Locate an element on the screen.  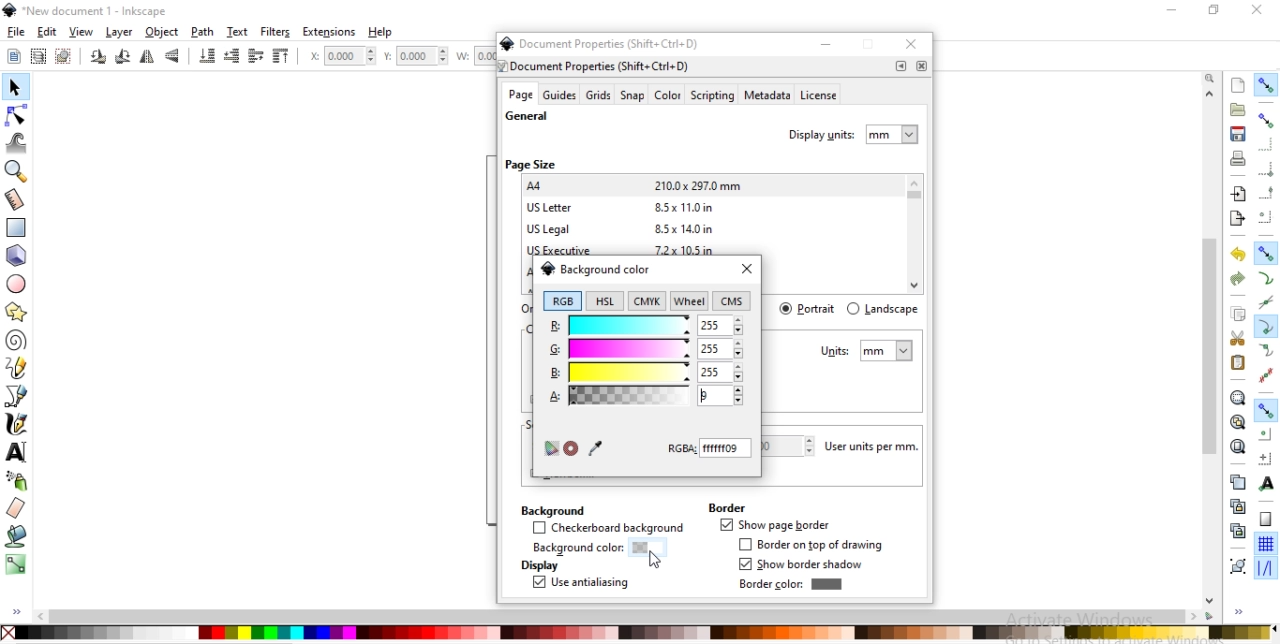
select and transform objects is located at coordinates (14, 88).